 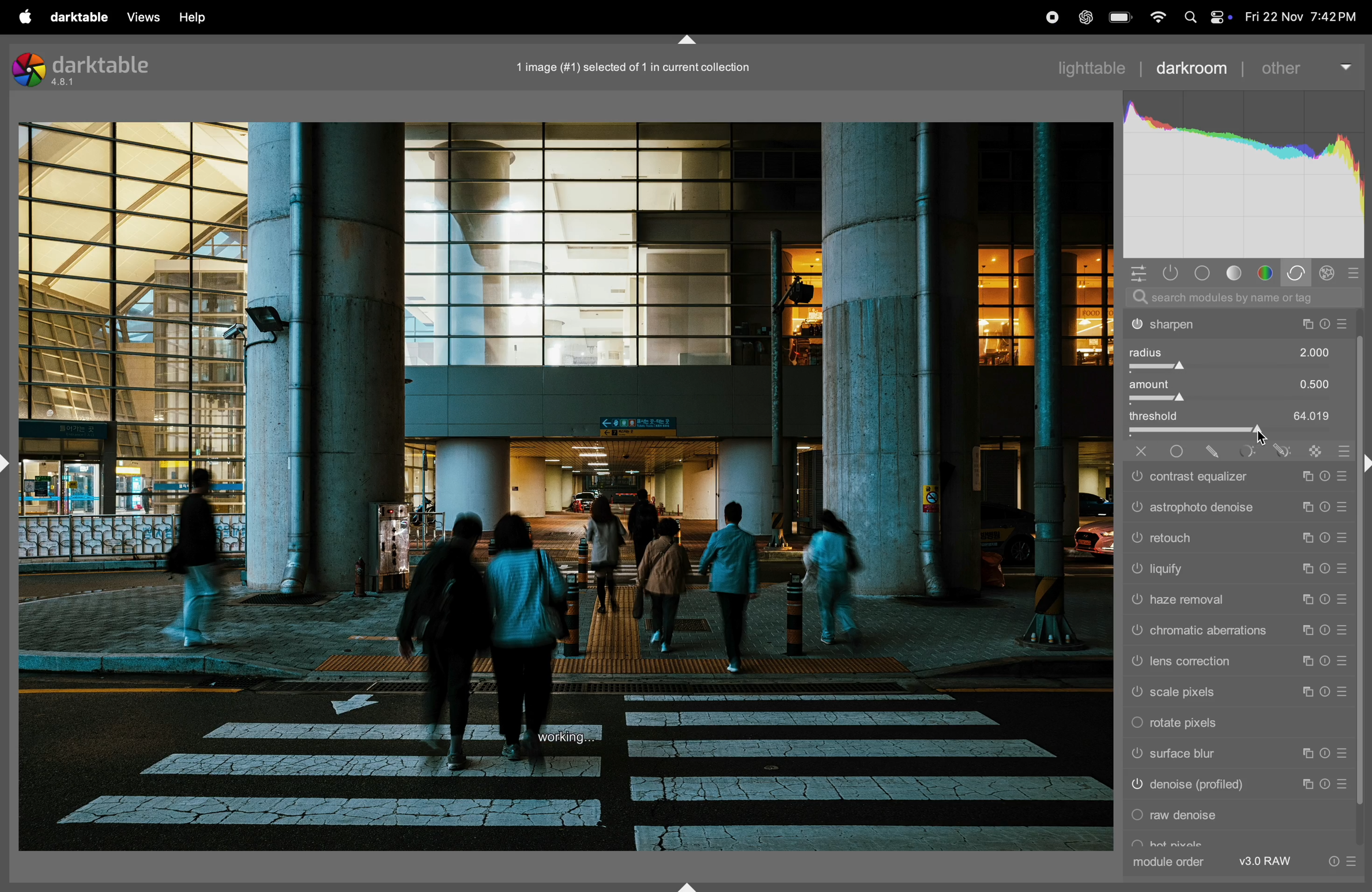 What do you see at coordinates (1245, 173) in the screenshot?
I see `histogram` at bounding box center [1245, 173].